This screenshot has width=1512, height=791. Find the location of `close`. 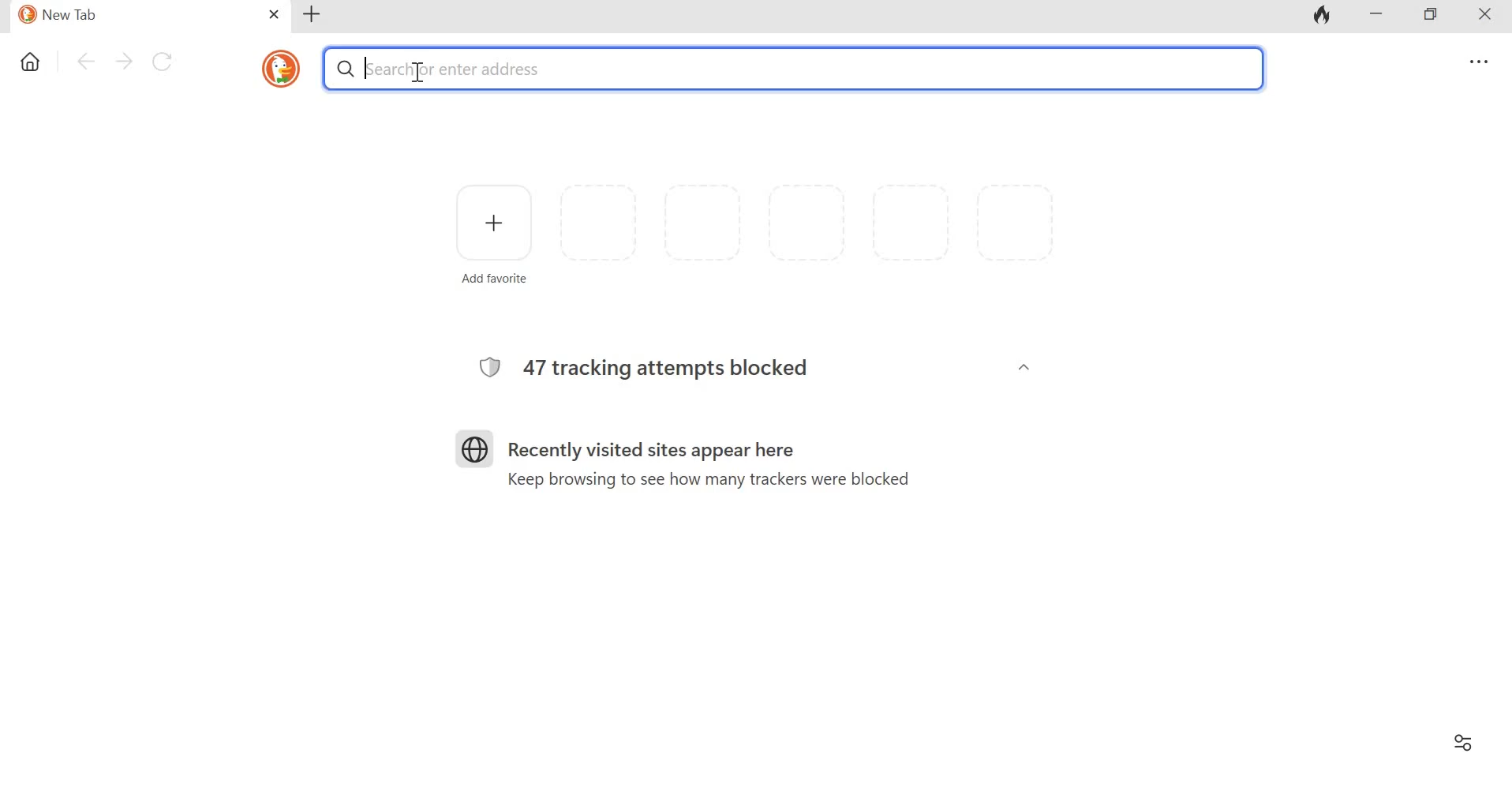

close is located at coordinates (1490, 17).